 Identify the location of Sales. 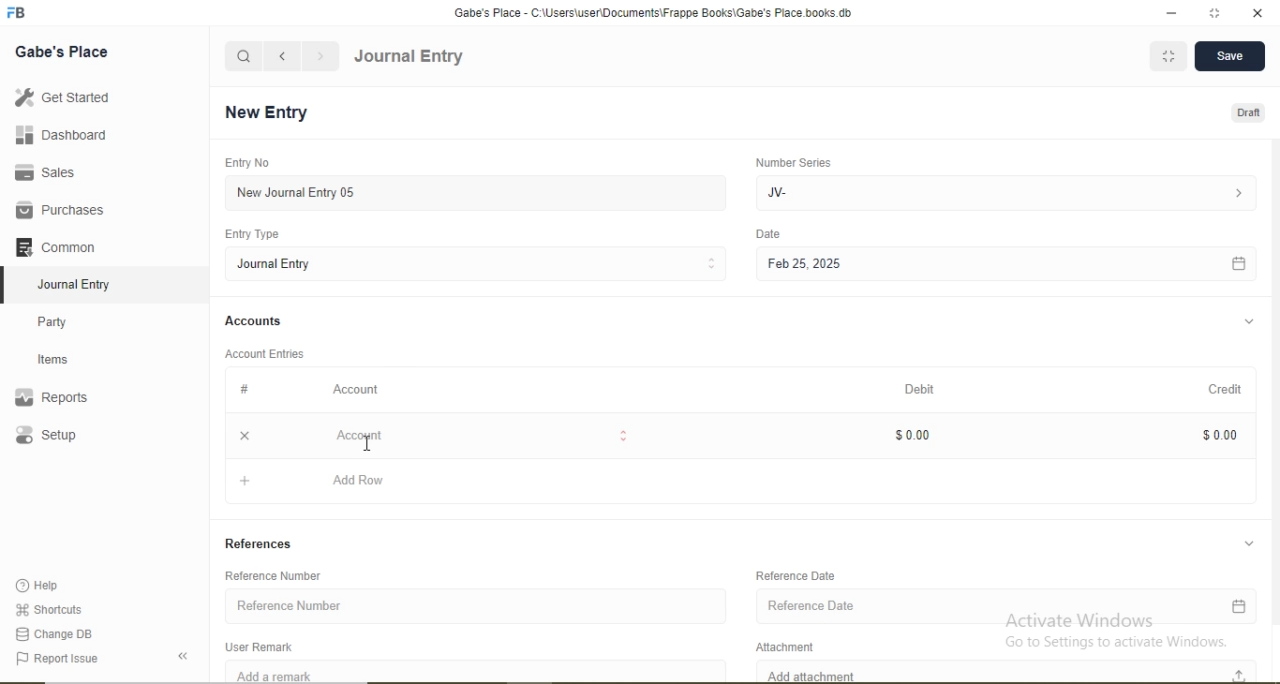
(54, 172).